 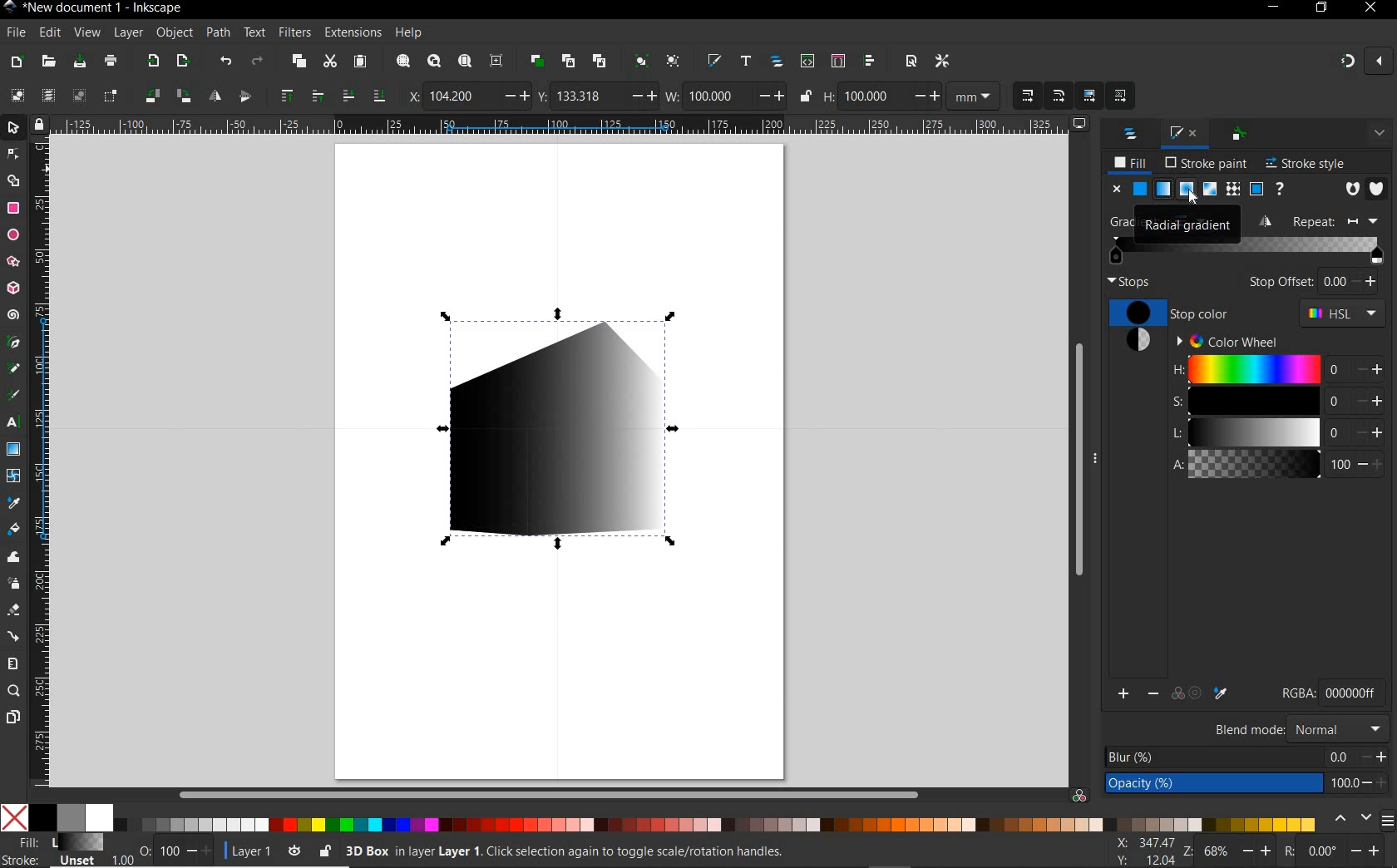 What do you see at coordinates (244, 98) in the screenshot?
I see `OBJECT FLIP` at bounding box center [244, 98].